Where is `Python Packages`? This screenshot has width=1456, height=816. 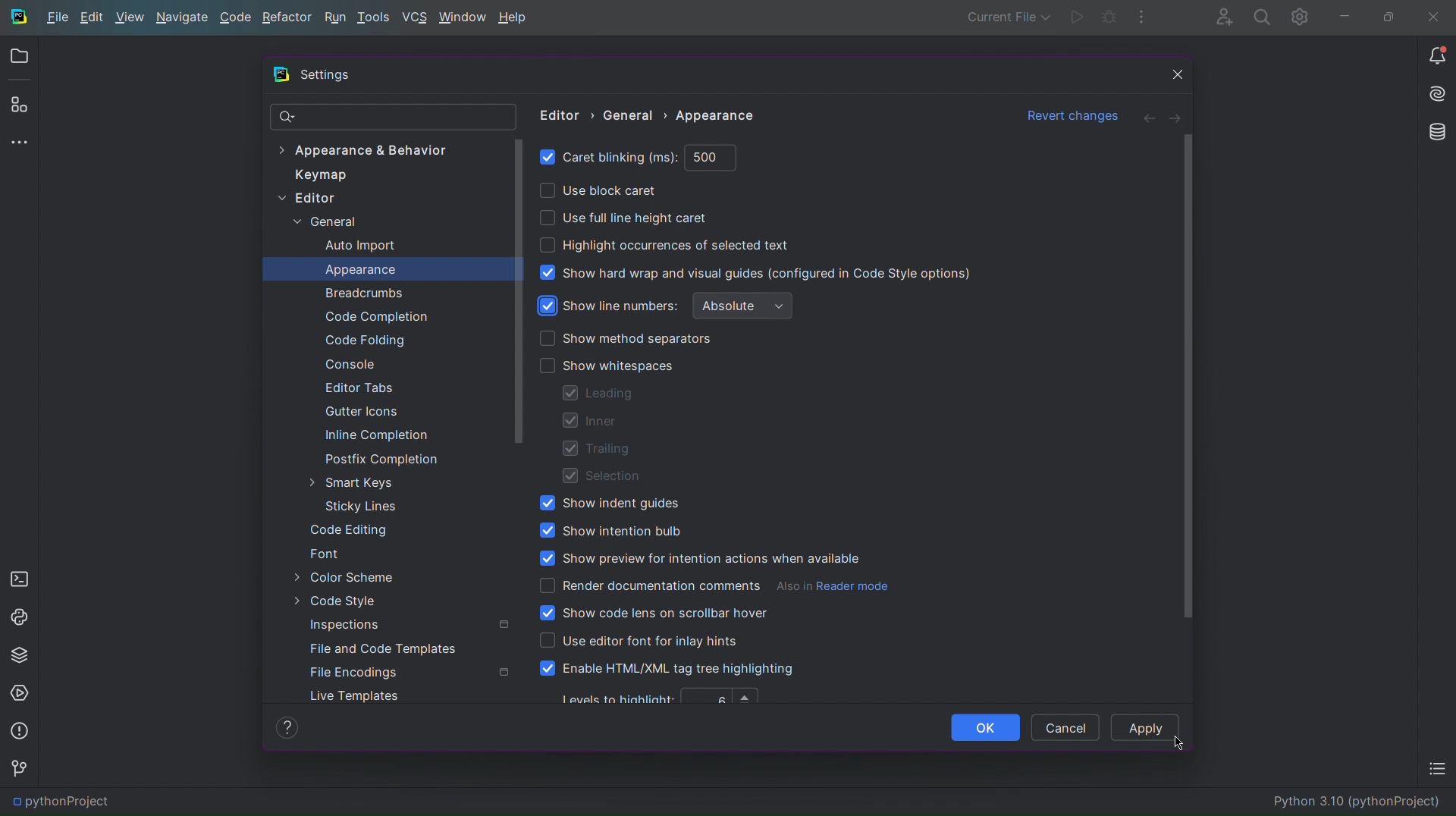
Python Packages is located at coordinates (21, 655).